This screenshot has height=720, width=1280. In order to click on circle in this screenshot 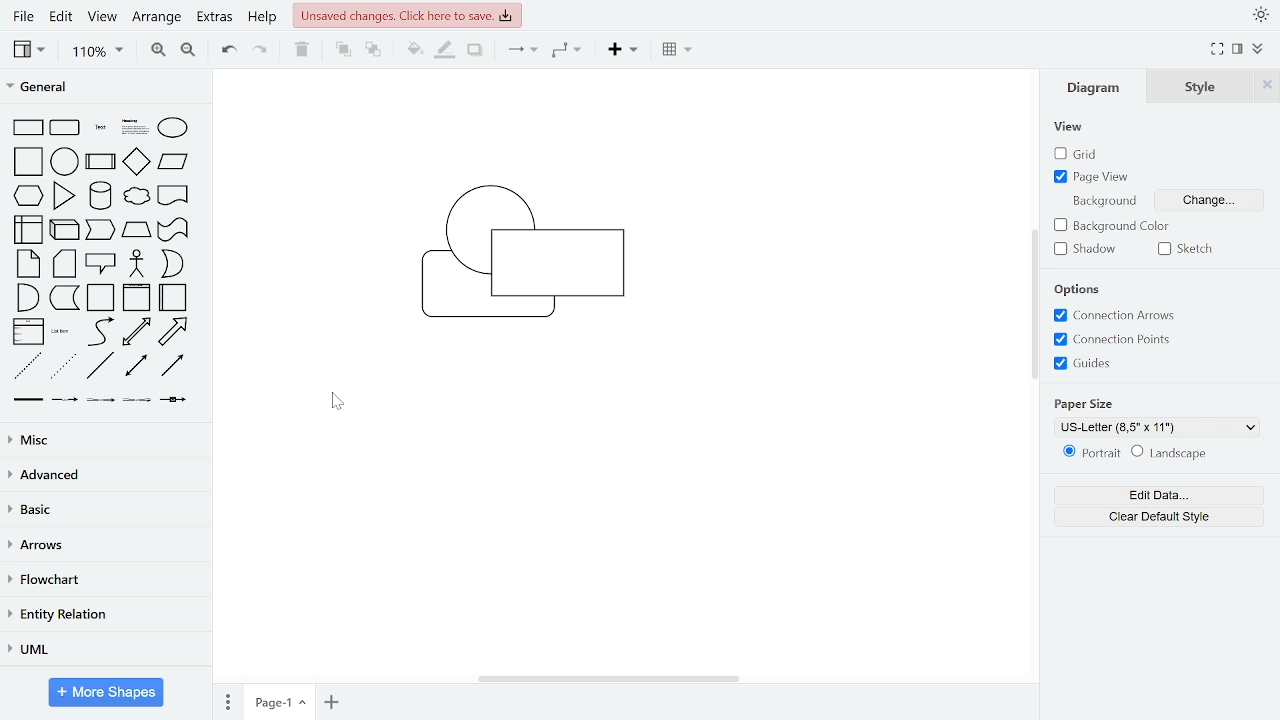, I will do `click(65, 163)`.